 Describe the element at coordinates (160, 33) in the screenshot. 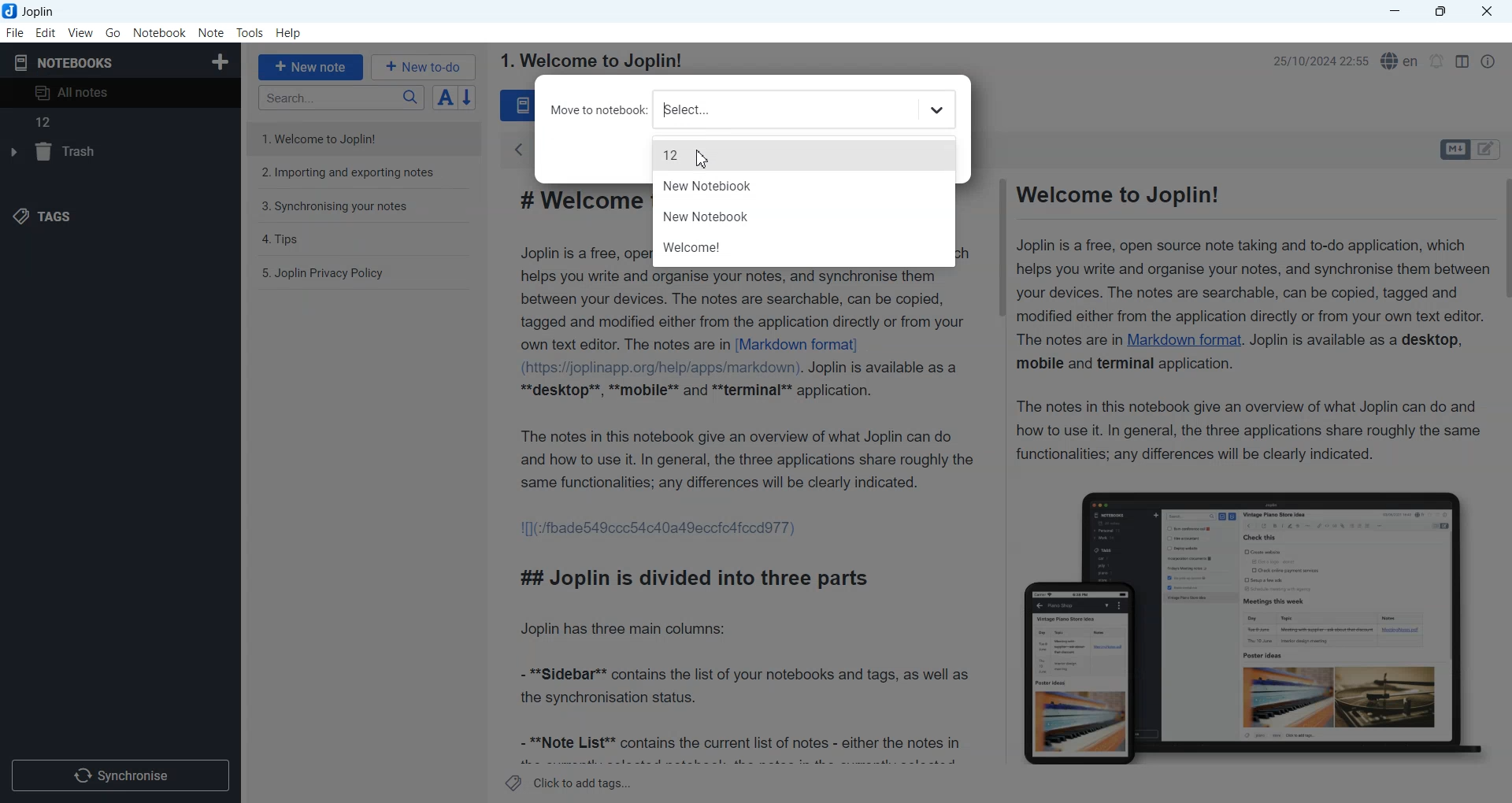

I see `Notebook` at that location.